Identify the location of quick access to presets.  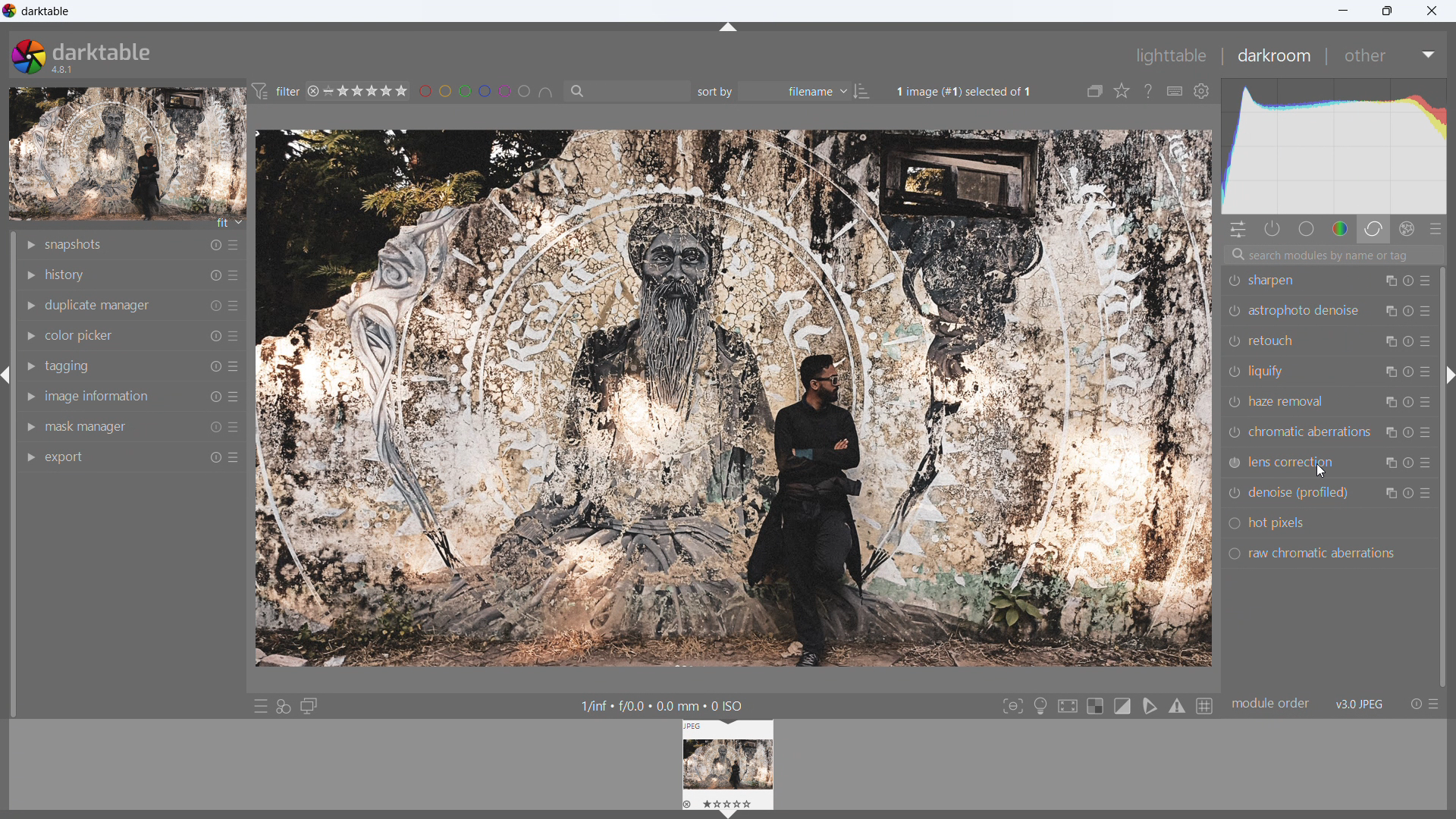
(260, 706).